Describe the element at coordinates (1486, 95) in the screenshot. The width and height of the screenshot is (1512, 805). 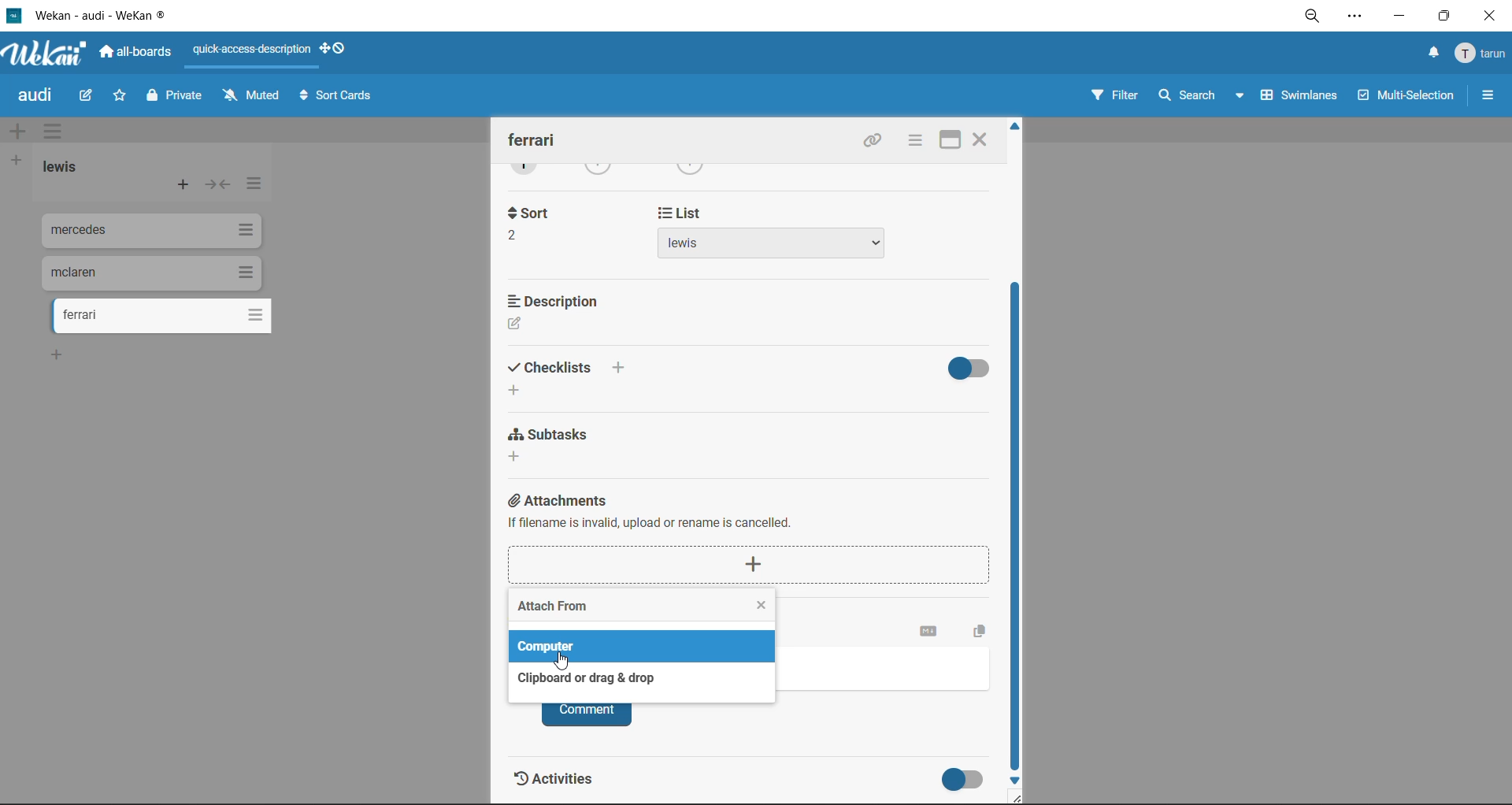
I see `sidebar` at that location.